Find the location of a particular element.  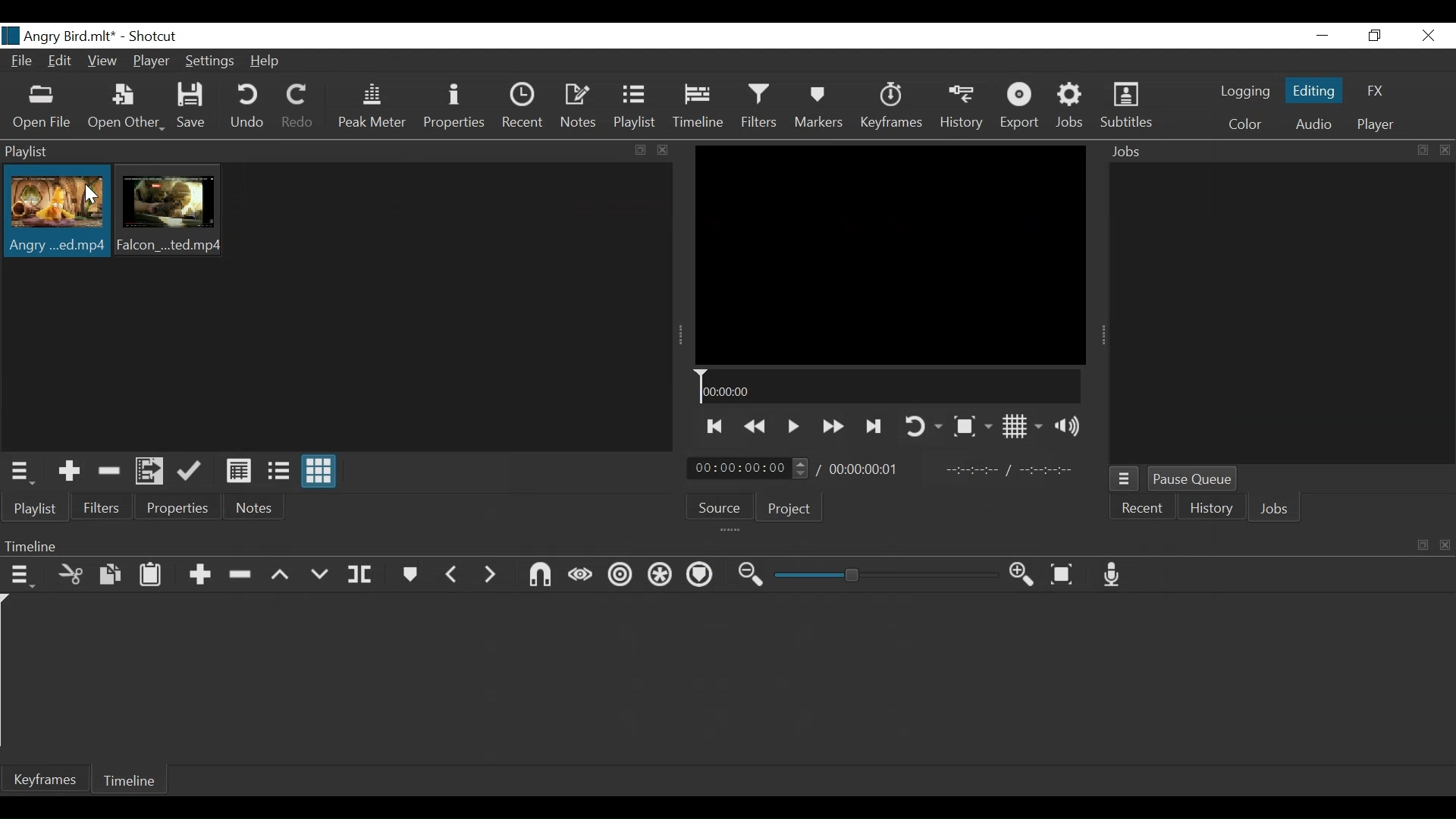

Scrub while dragging is located at coordinates (580, 576).